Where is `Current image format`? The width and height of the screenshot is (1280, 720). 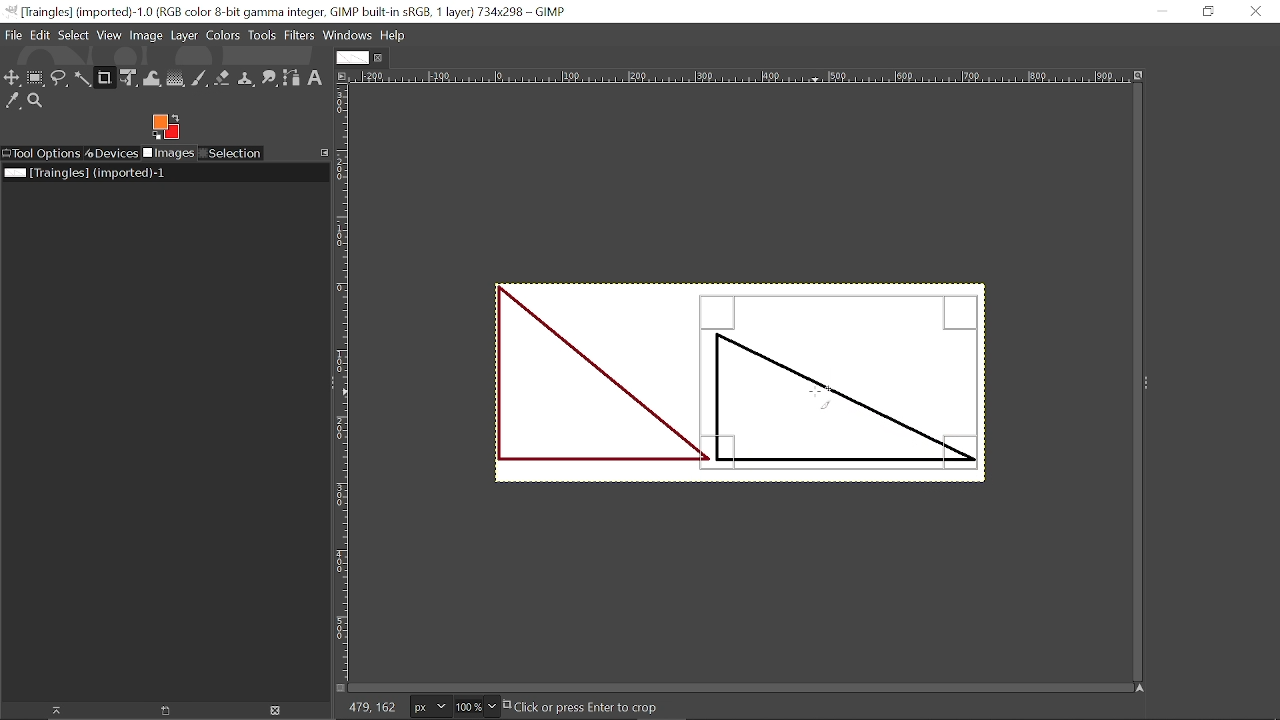 Current image format is located at coordinates (427, 706).